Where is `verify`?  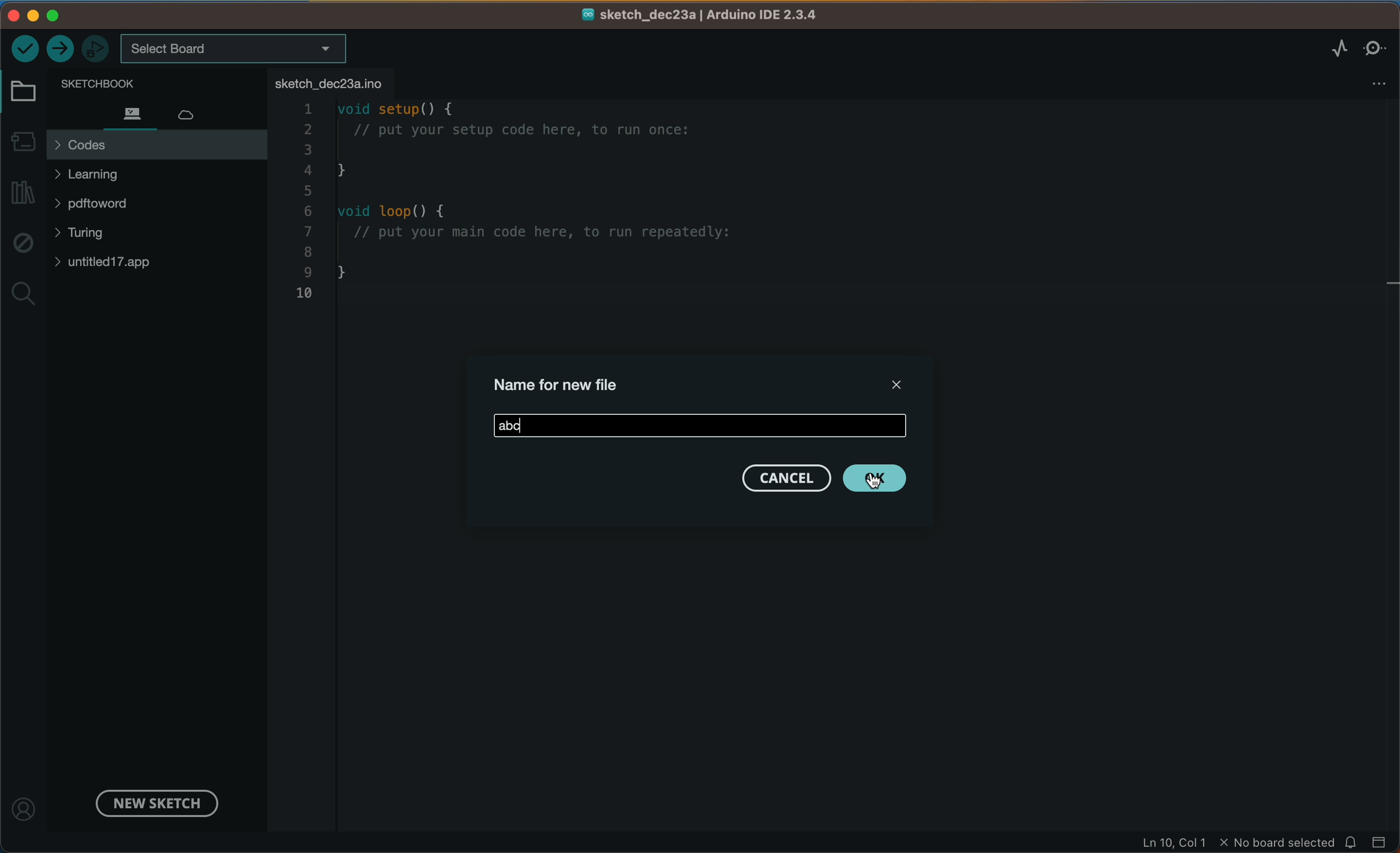 verify is located at coordinates (25, 47).